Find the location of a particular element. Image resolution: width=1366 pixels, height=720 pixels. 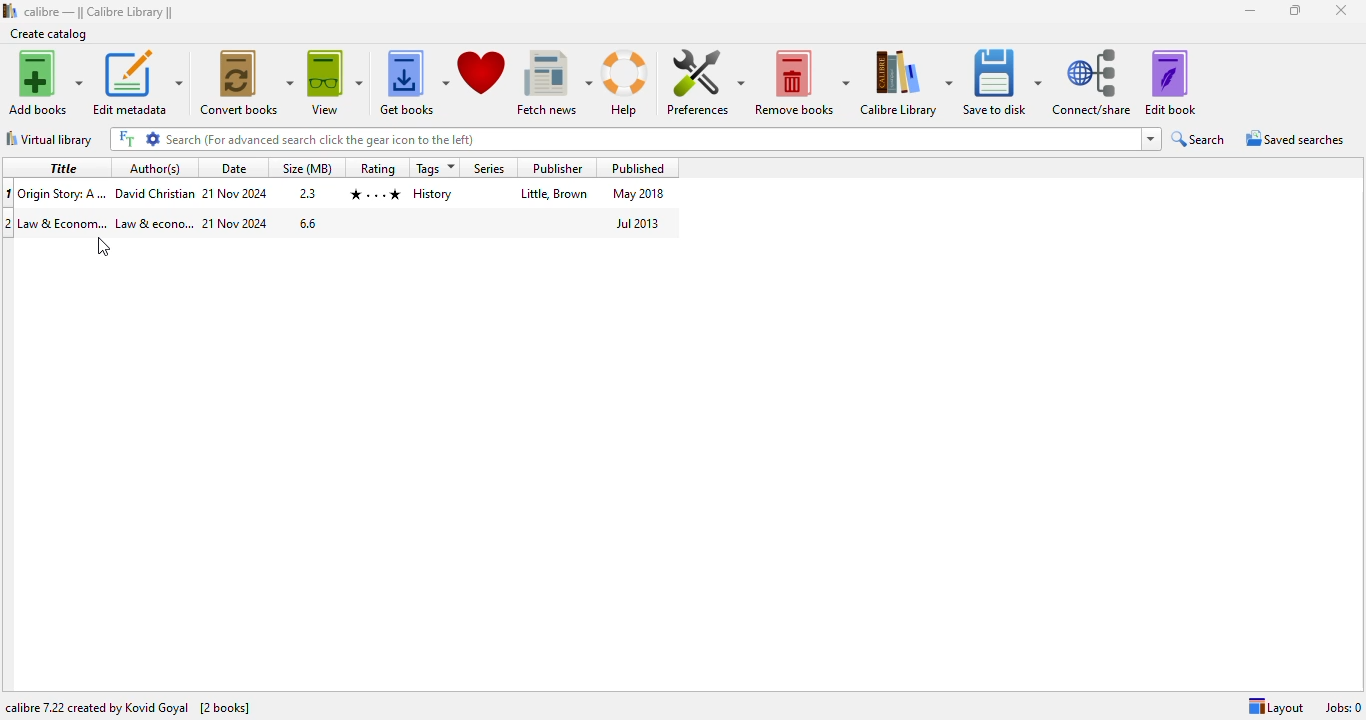

FT is located at coordinates (124, 138).